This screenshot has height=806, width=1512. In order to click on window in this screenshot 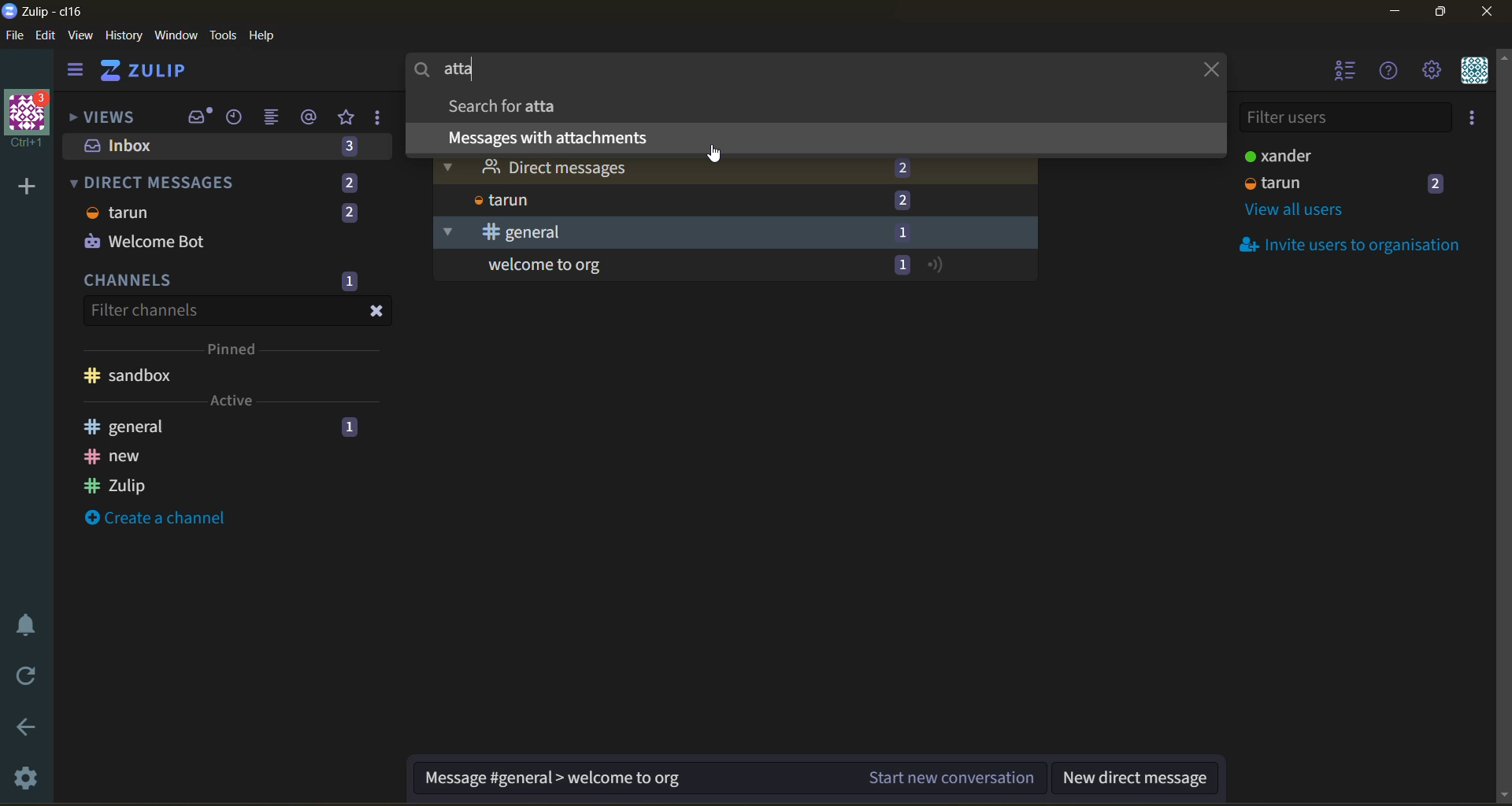, I will do `click(176, 35)`.